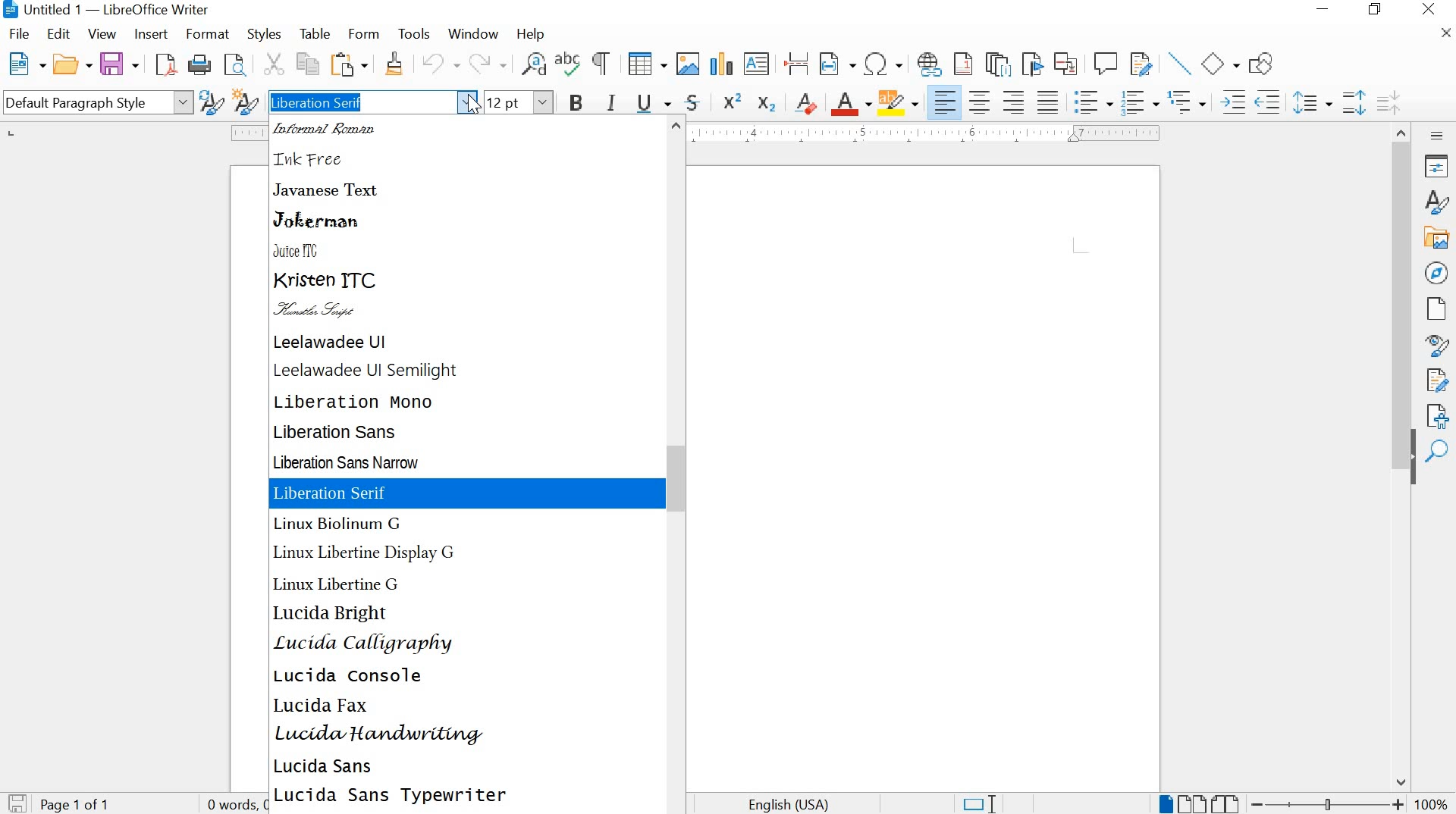 Image resolution: width=1456 pixels, height=814 pixels. Describe the element at coordinates (467, 493) in the screenshot. I see `LIBERATION SERIF` at that location.